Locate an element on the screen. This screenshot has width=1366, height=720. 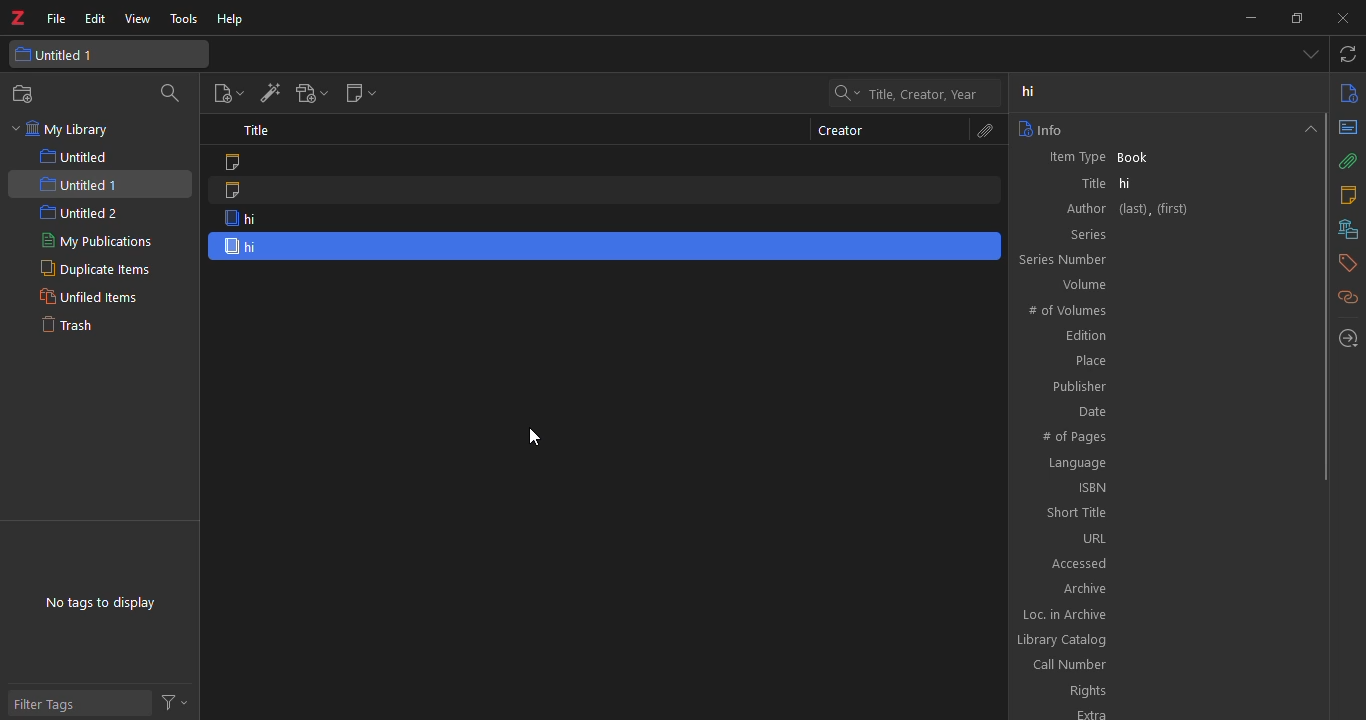
URL is located at coordinates (1084, 540).